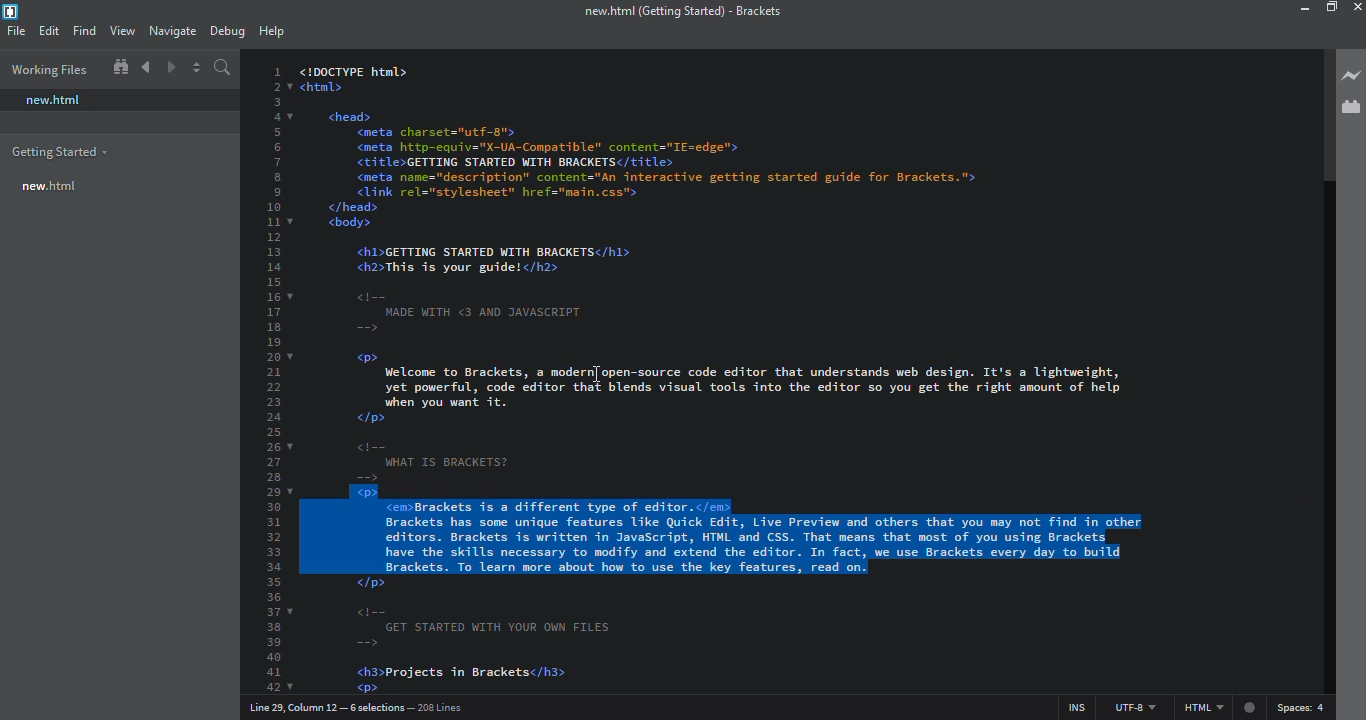 Image resolution: width=1366 pixels, height=720 pixels. Describe the element at coordinates (1073, 704) in the screenshot. I see `ins` at that location.